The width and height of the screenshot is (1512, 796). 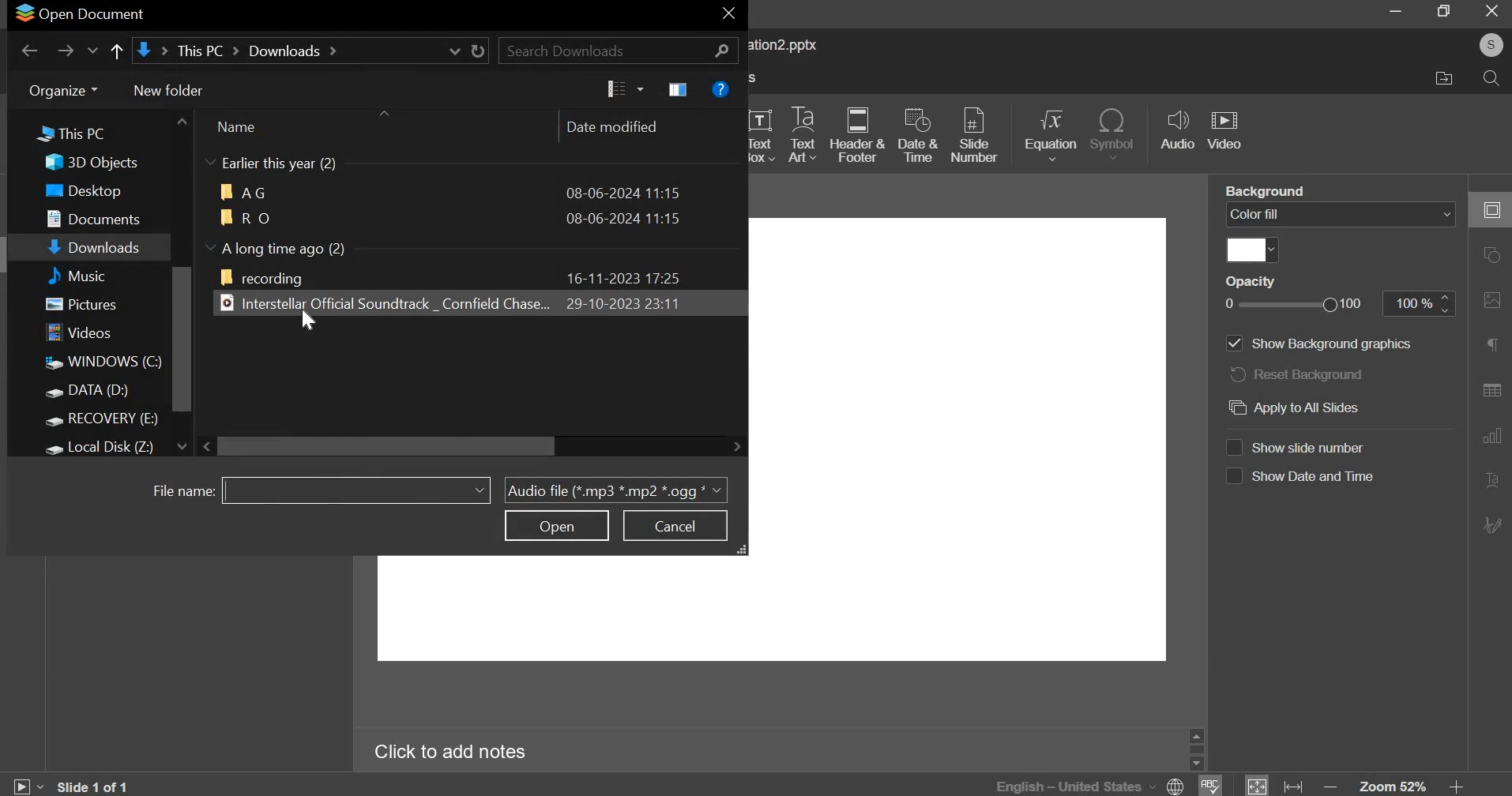 I want to click on scroll up, so click(x=182, y=121).